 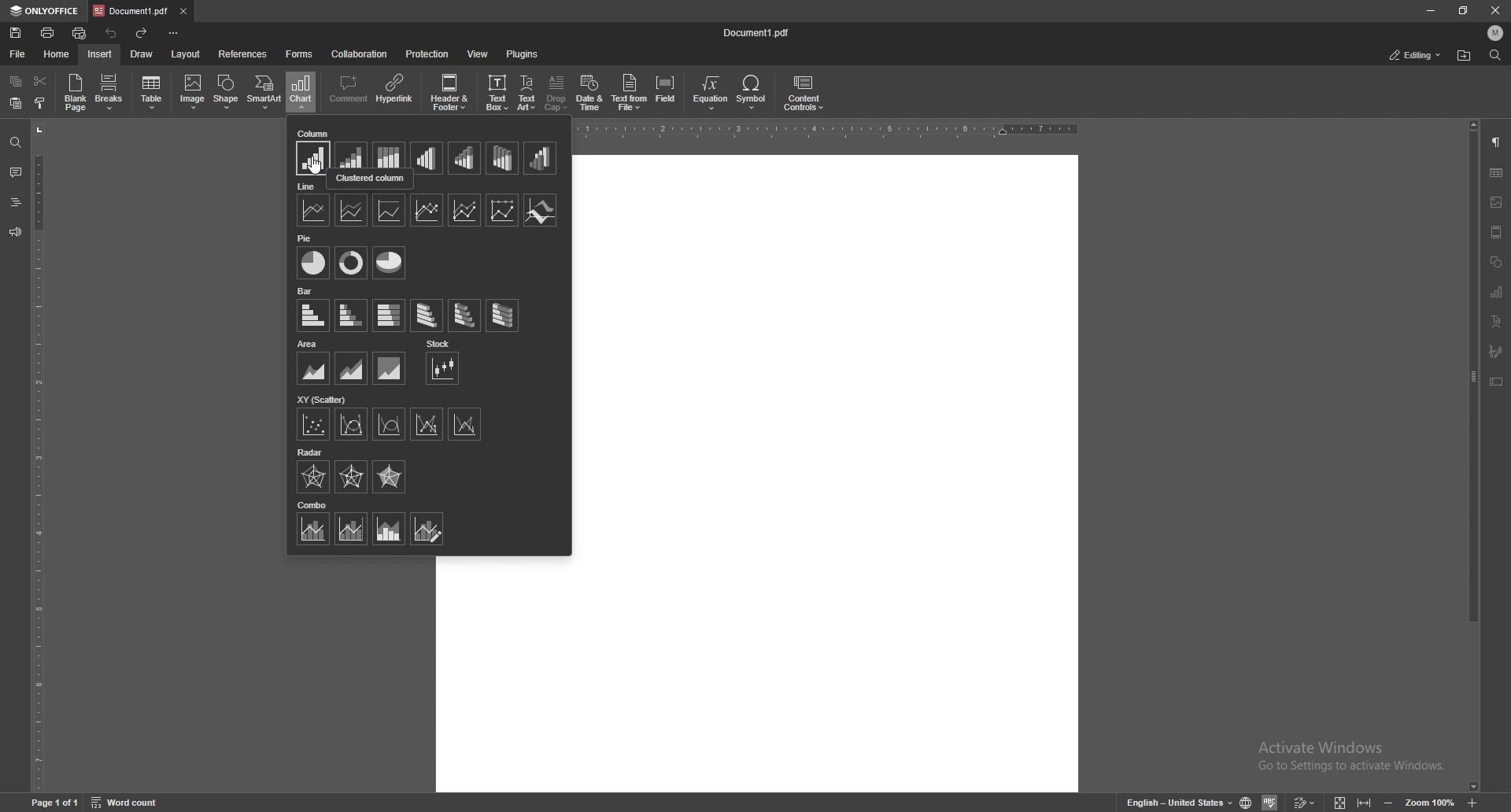 What do you see at coordinates (757, 32) in the screenshot?
I see `file name` at bounding box center [757, 32].